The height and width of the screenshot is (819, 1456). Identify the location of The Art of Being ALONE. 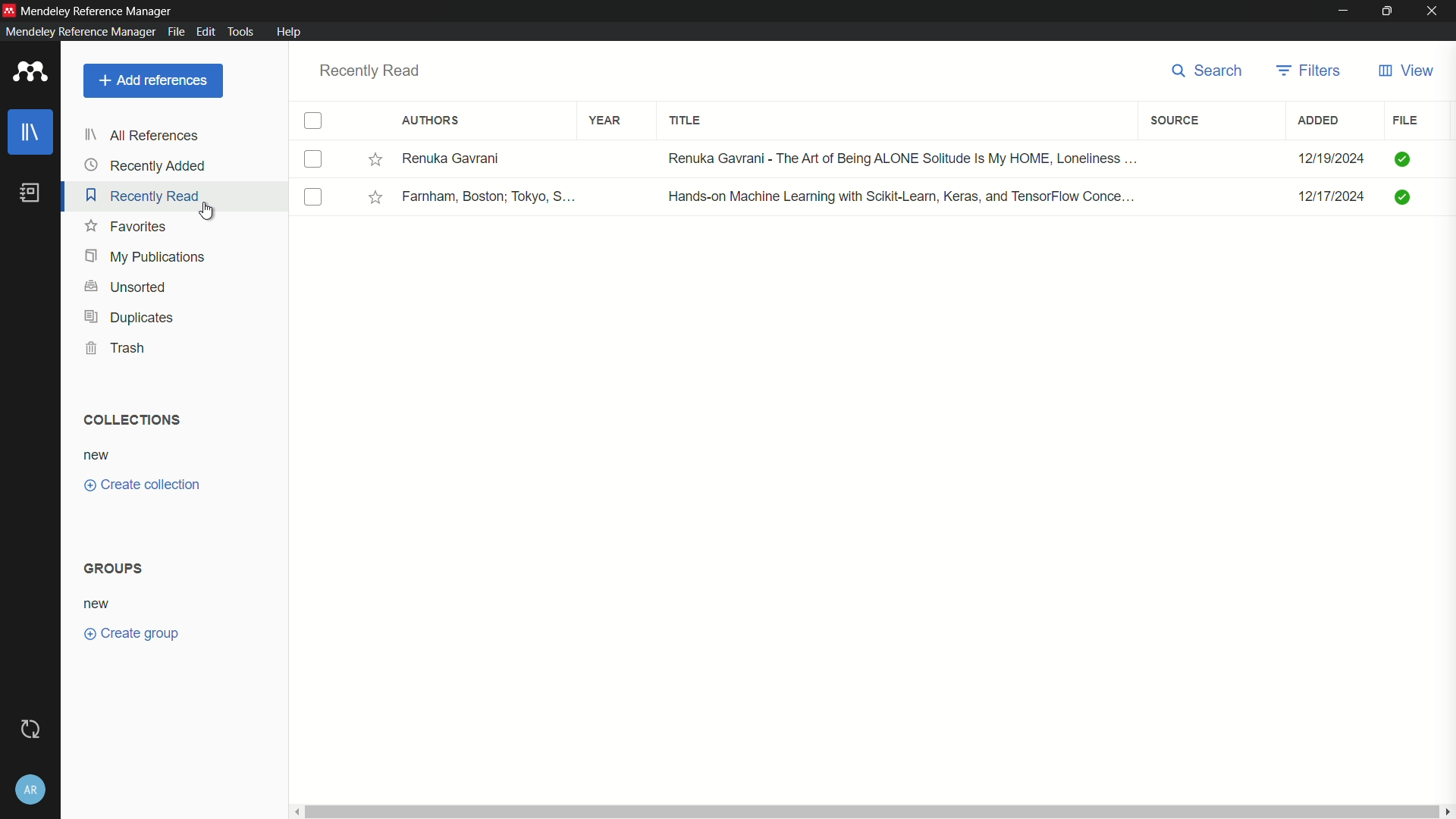
(899, 158).